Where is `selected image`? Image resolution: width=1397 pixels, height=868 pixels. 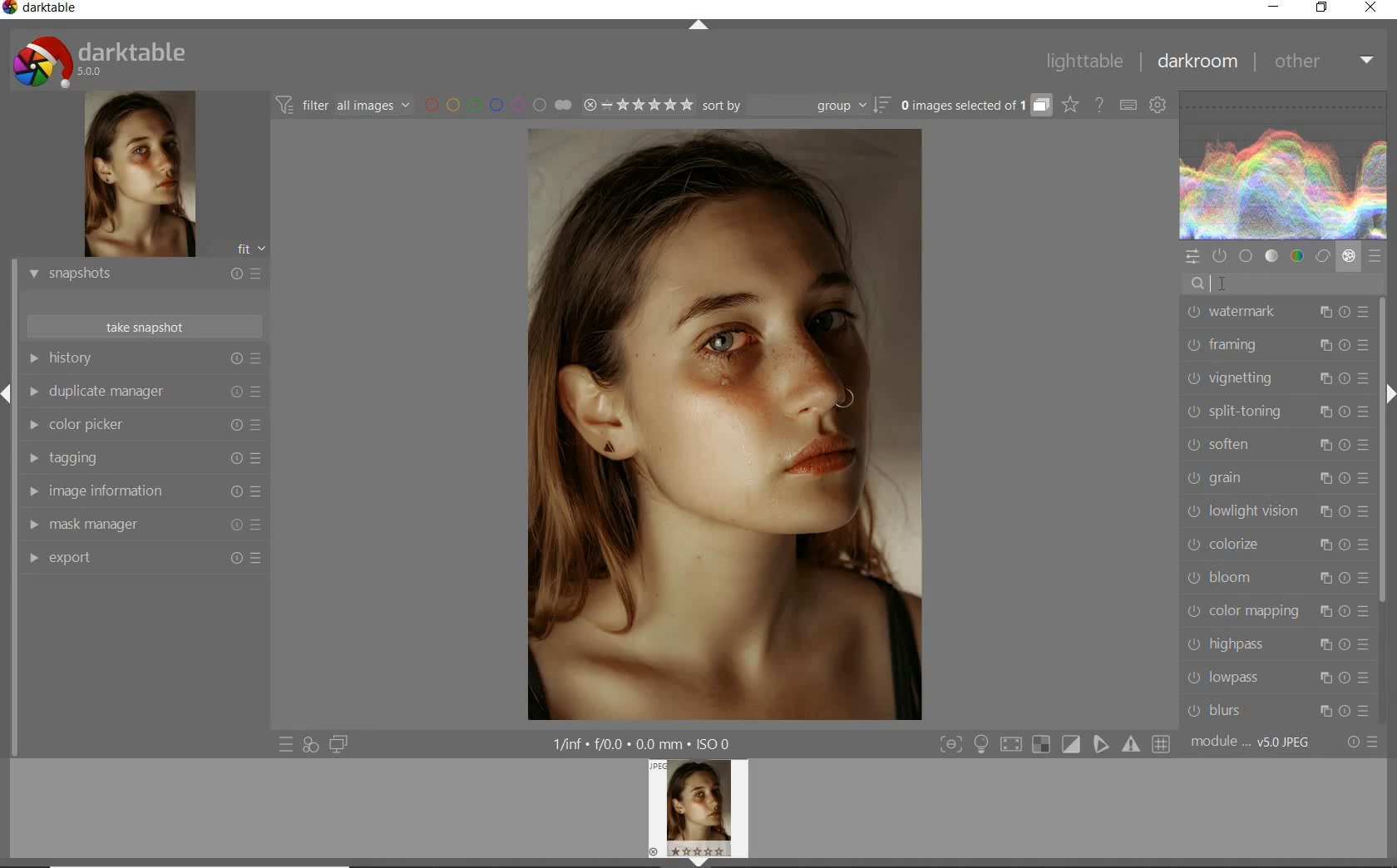 selected image is located at coordinates (728, 424).